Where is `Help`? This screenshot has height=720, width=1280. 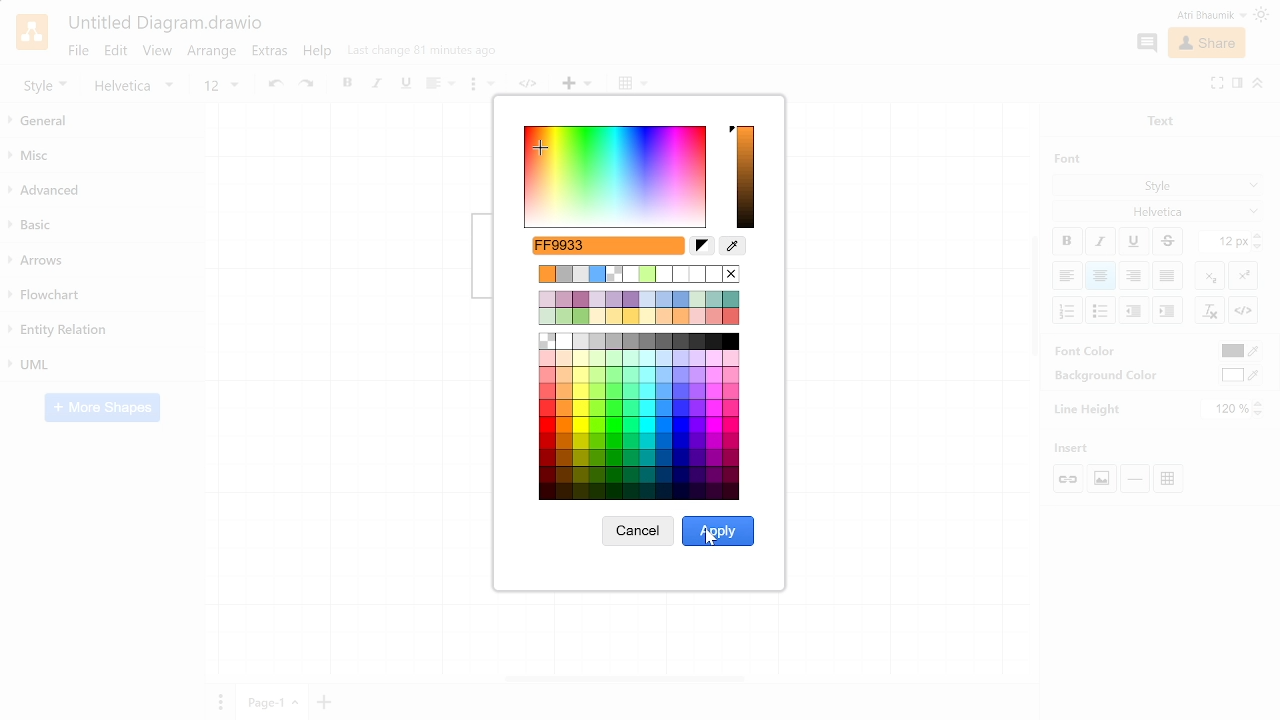
Help is located at coordinates (319, 54).